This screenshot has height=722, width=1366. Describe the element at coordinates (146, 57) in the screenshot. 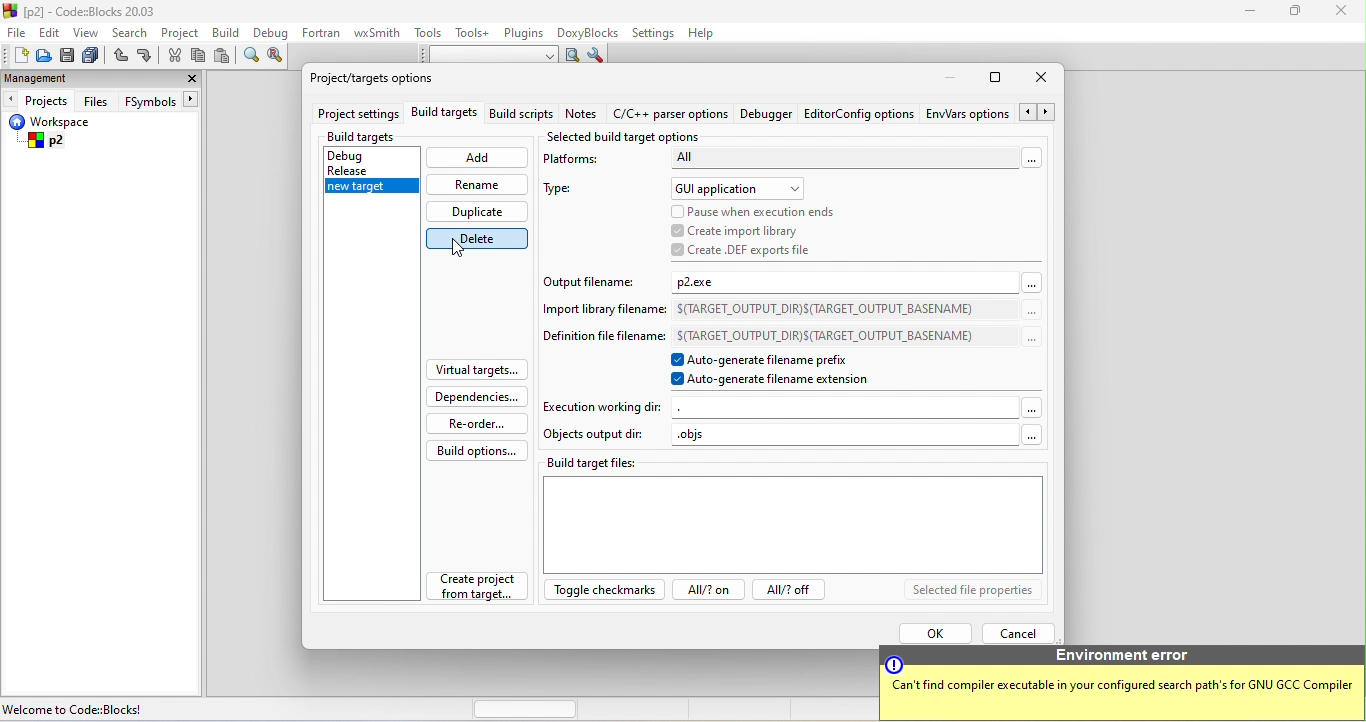

I see `redo` at that location.